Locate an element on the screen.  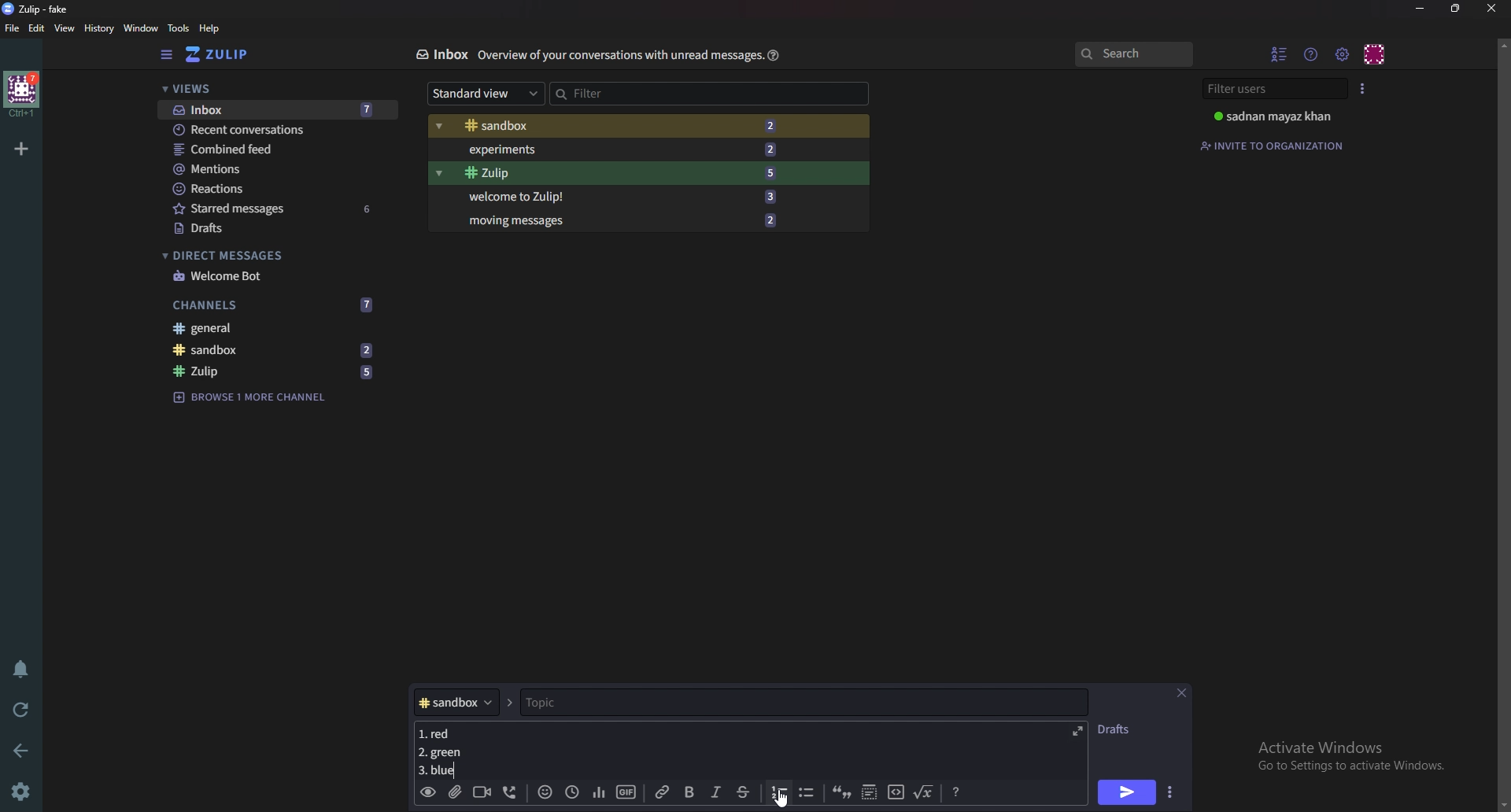
Reactions is located at coordinates (273, 187).